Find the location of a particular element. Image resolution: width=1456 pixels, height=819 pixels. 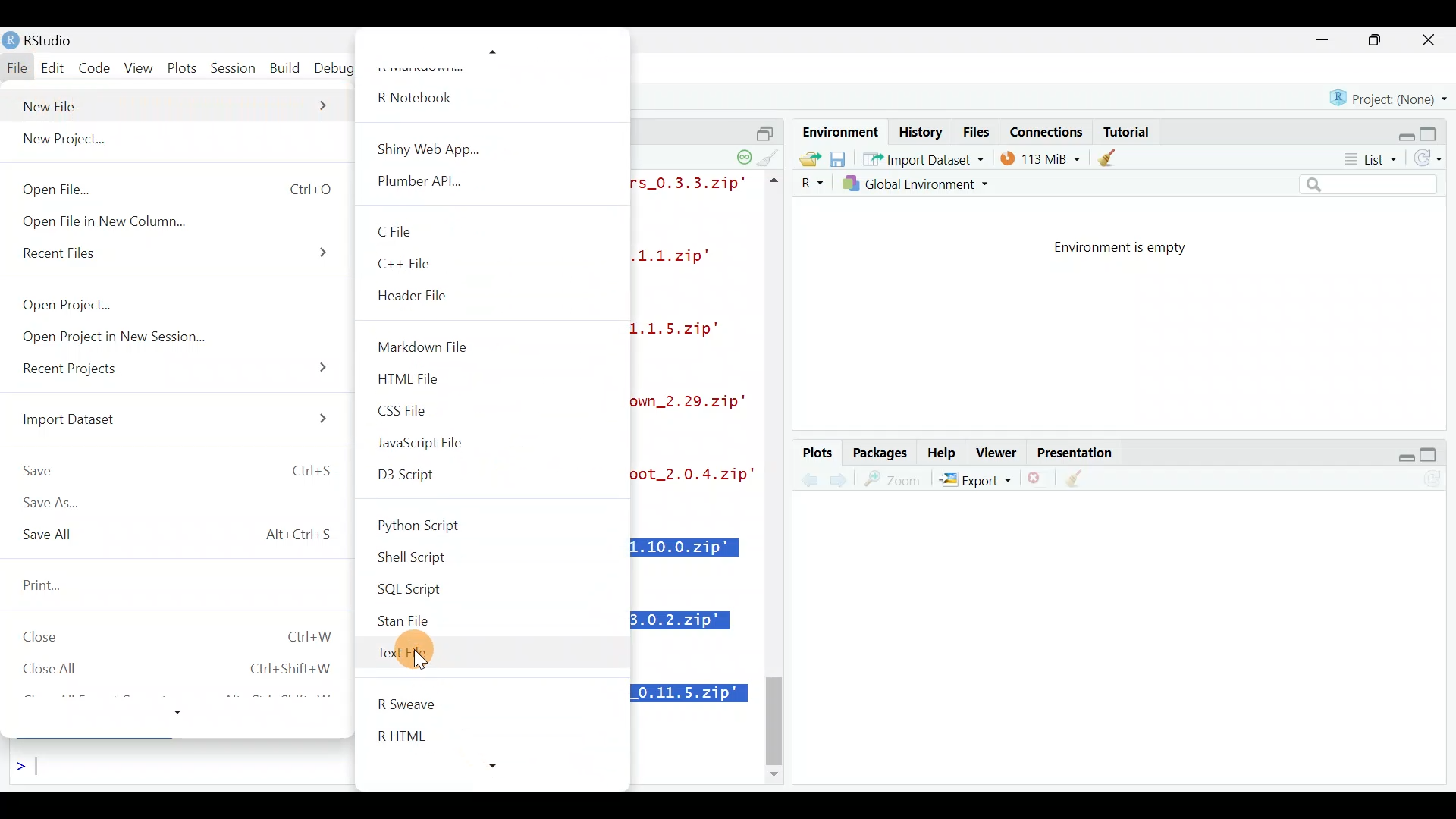

Plots is located at coordinates (818, 453).